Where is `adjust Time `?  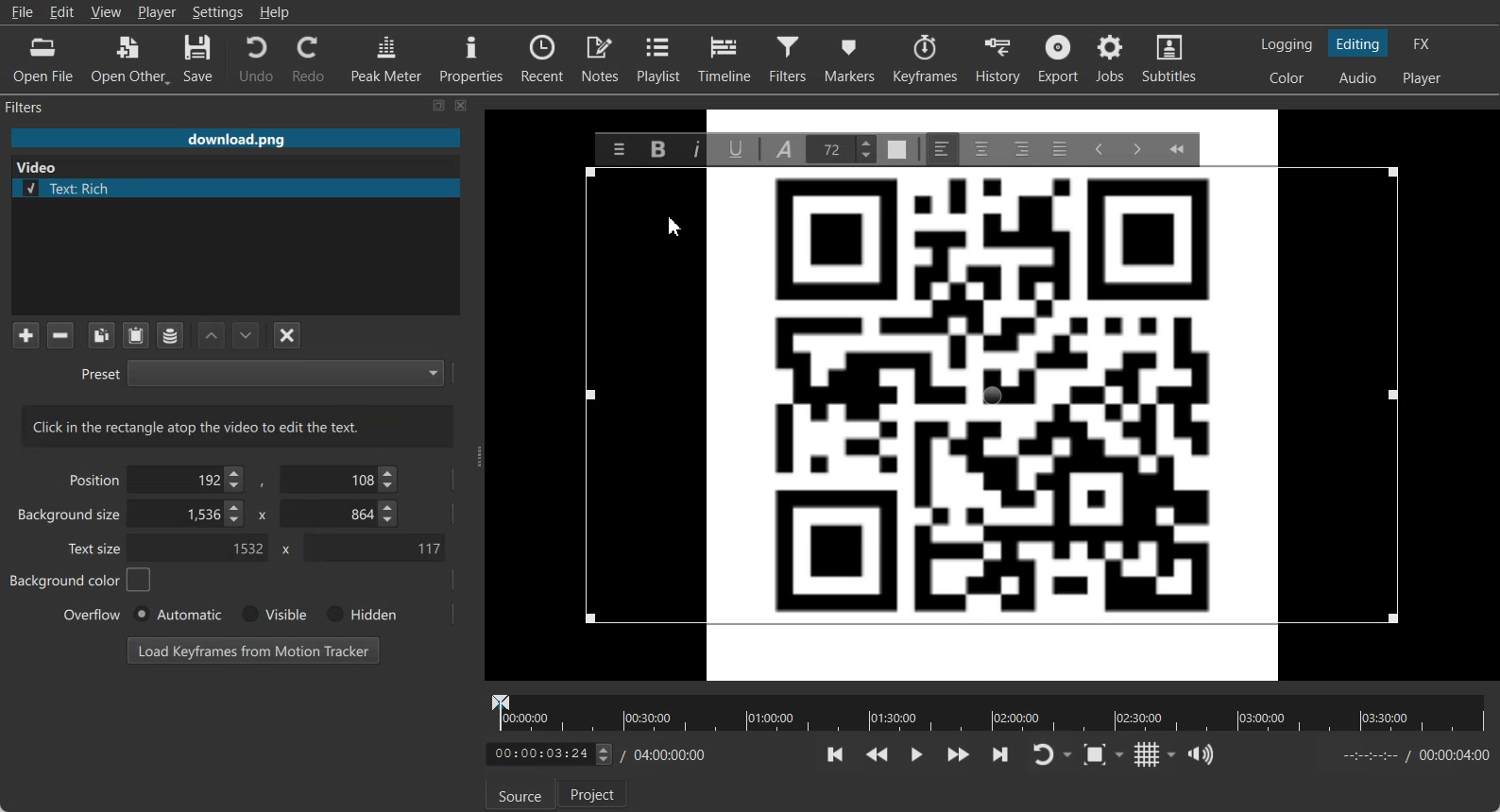 adjust Time  is located at coordinates (548, 755).